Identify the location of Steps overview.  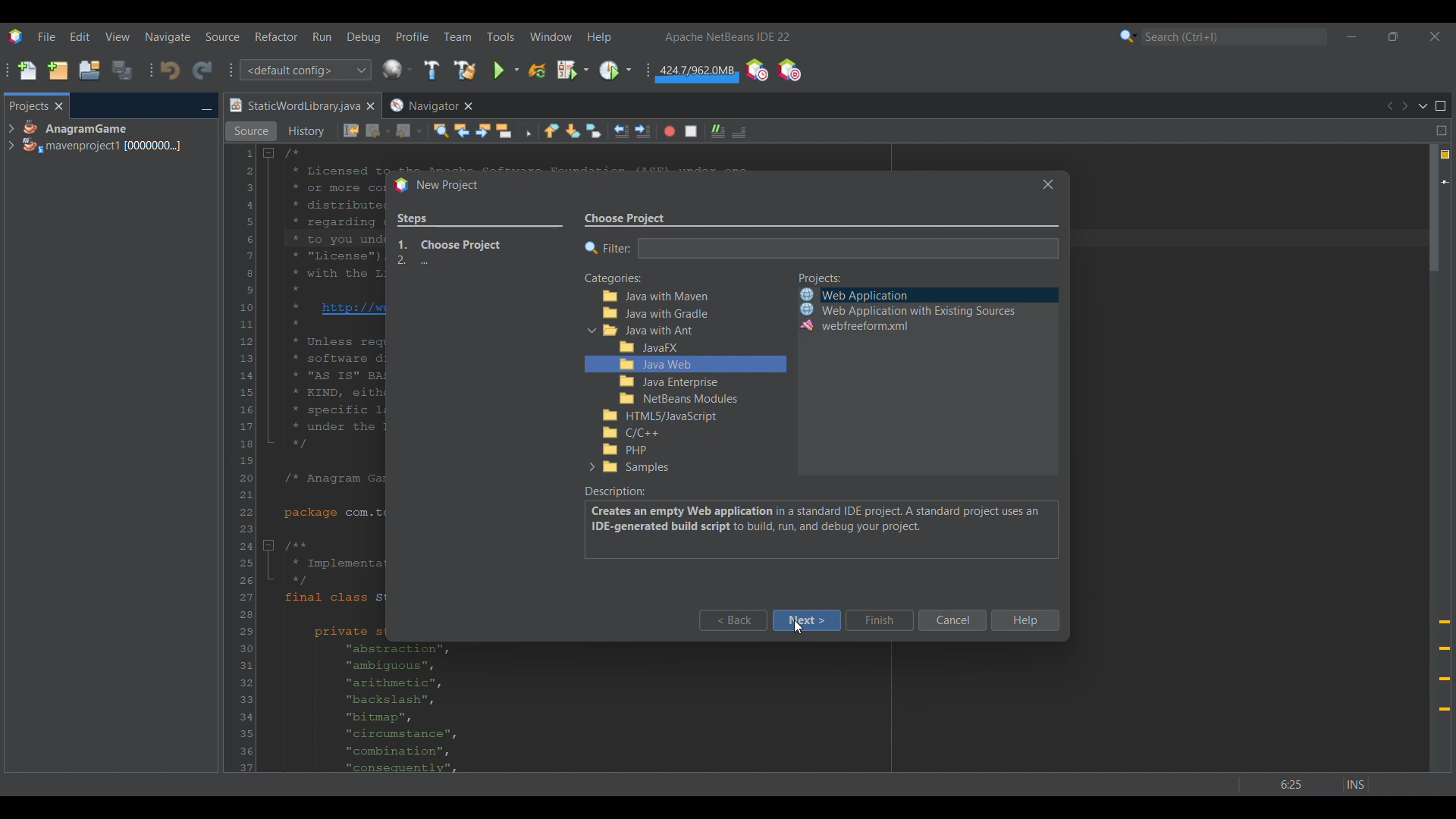
(480, 241).